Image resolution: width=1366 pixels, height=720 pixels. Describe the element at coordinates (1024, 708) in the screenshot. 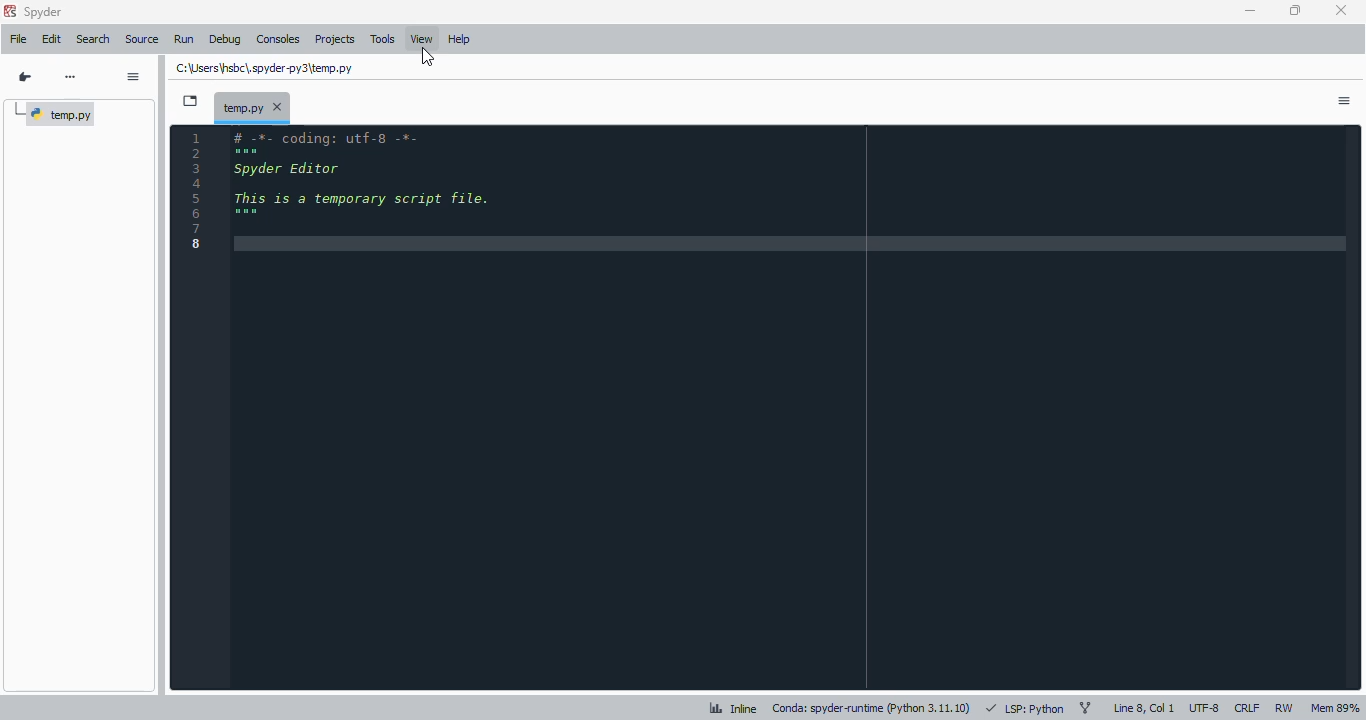

I see `LSP: python` at that location.